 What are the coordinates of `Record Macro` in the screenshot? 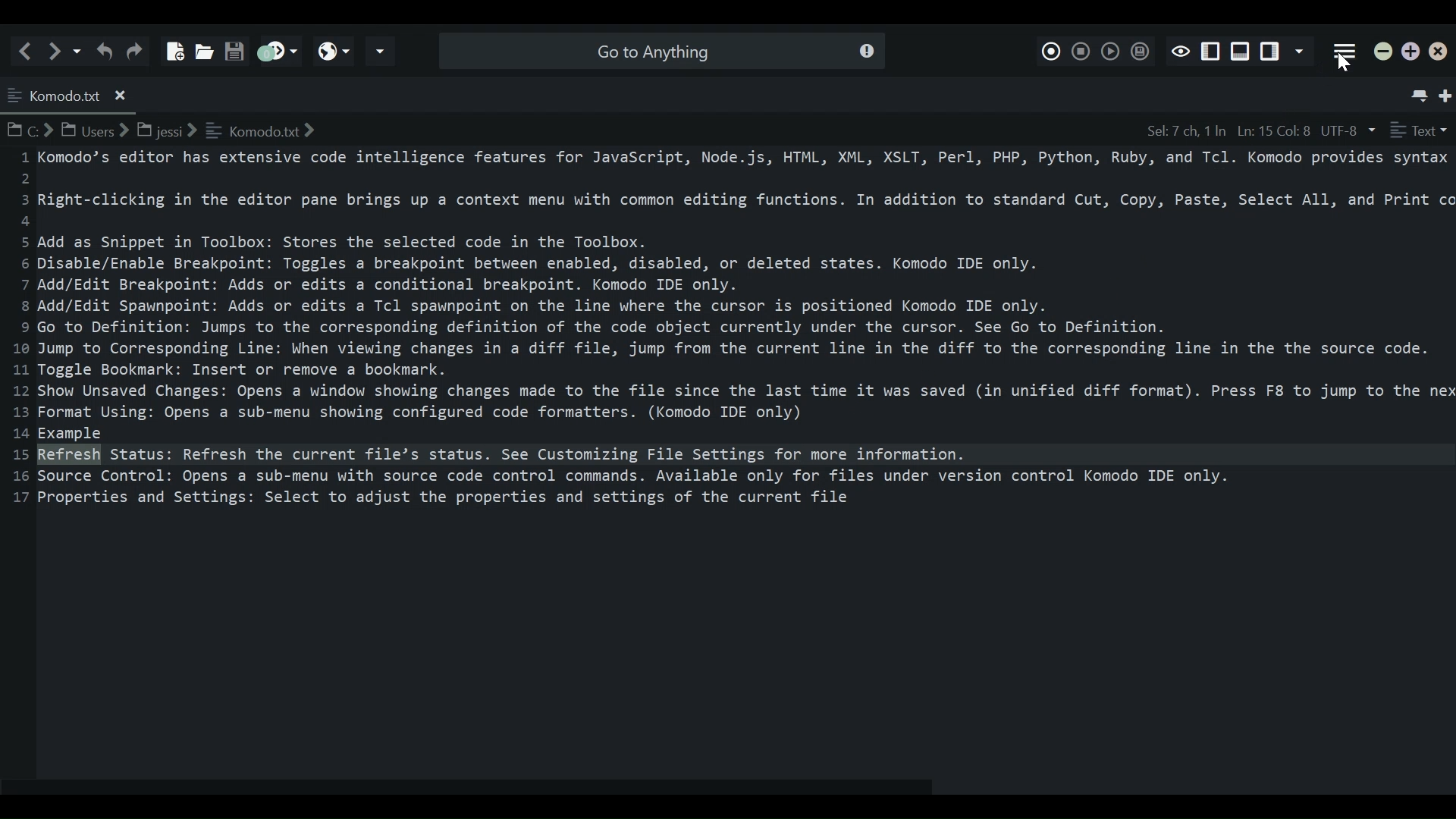 It's located at (1052, 49).